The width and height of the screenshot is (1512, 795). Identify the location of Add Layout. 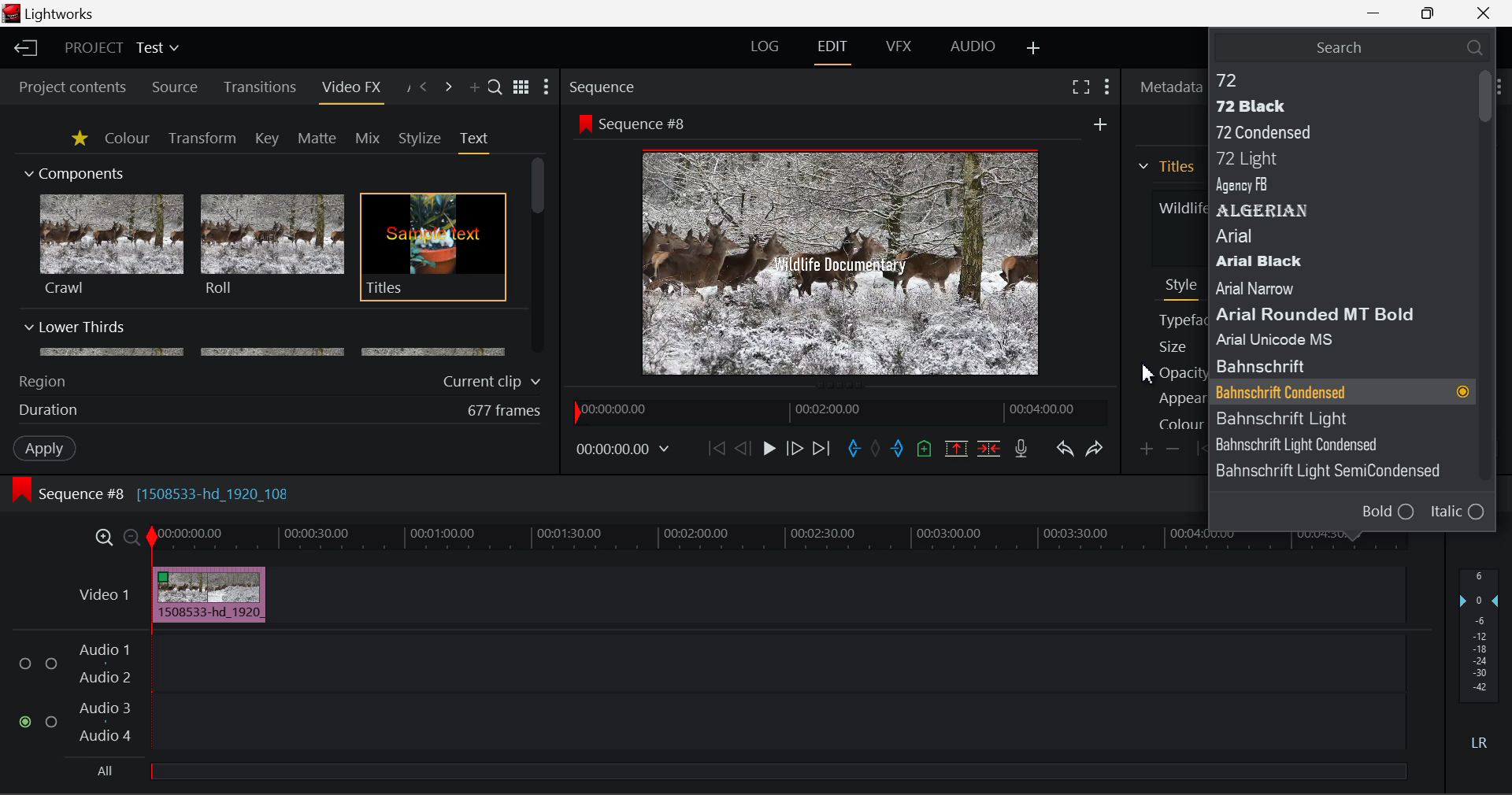
(1036, 50).